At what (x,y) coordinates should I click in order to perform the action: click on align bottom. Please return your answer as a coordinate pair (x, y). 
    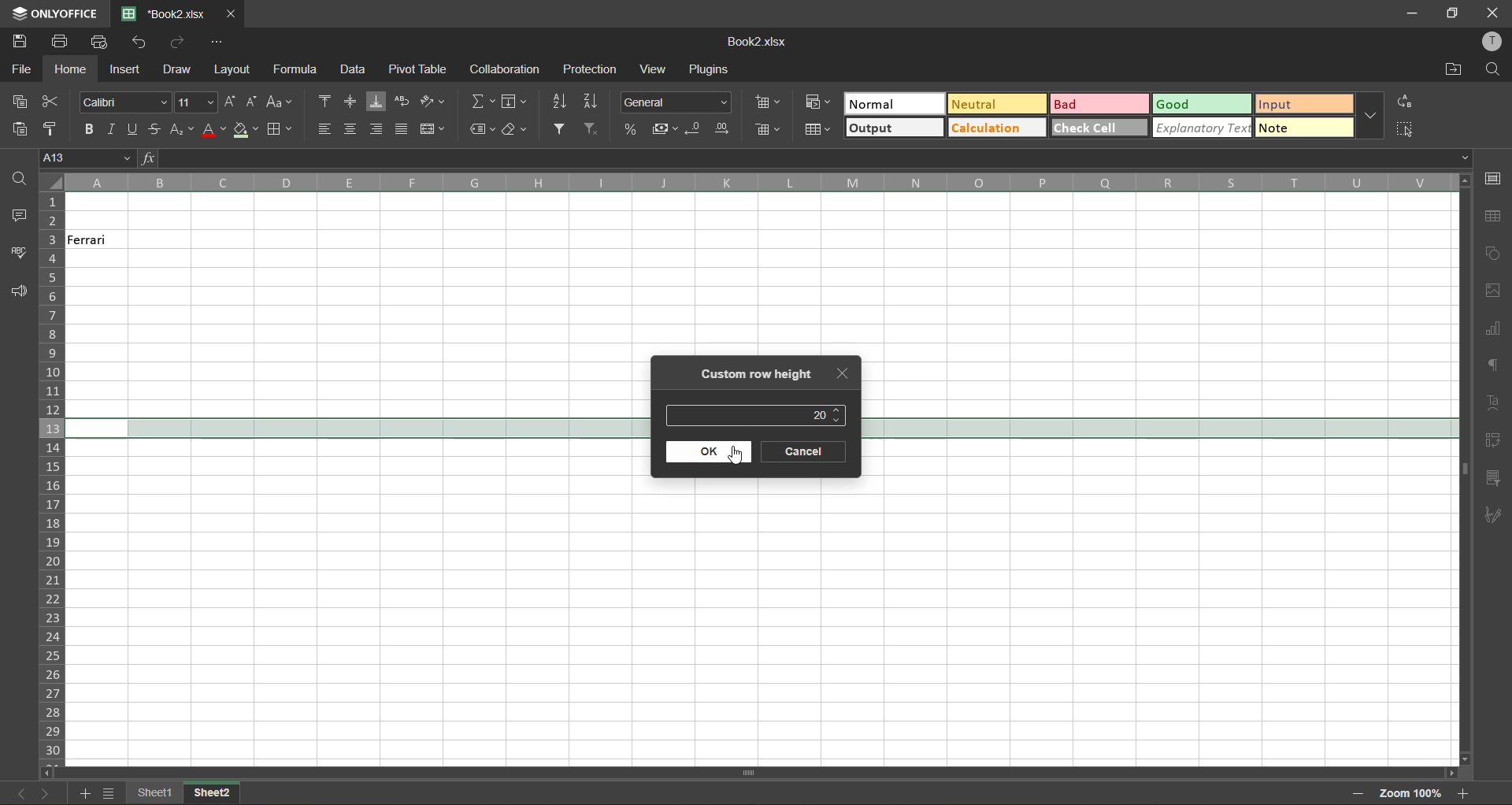
    Looking at the image, I should click on (376, 101).